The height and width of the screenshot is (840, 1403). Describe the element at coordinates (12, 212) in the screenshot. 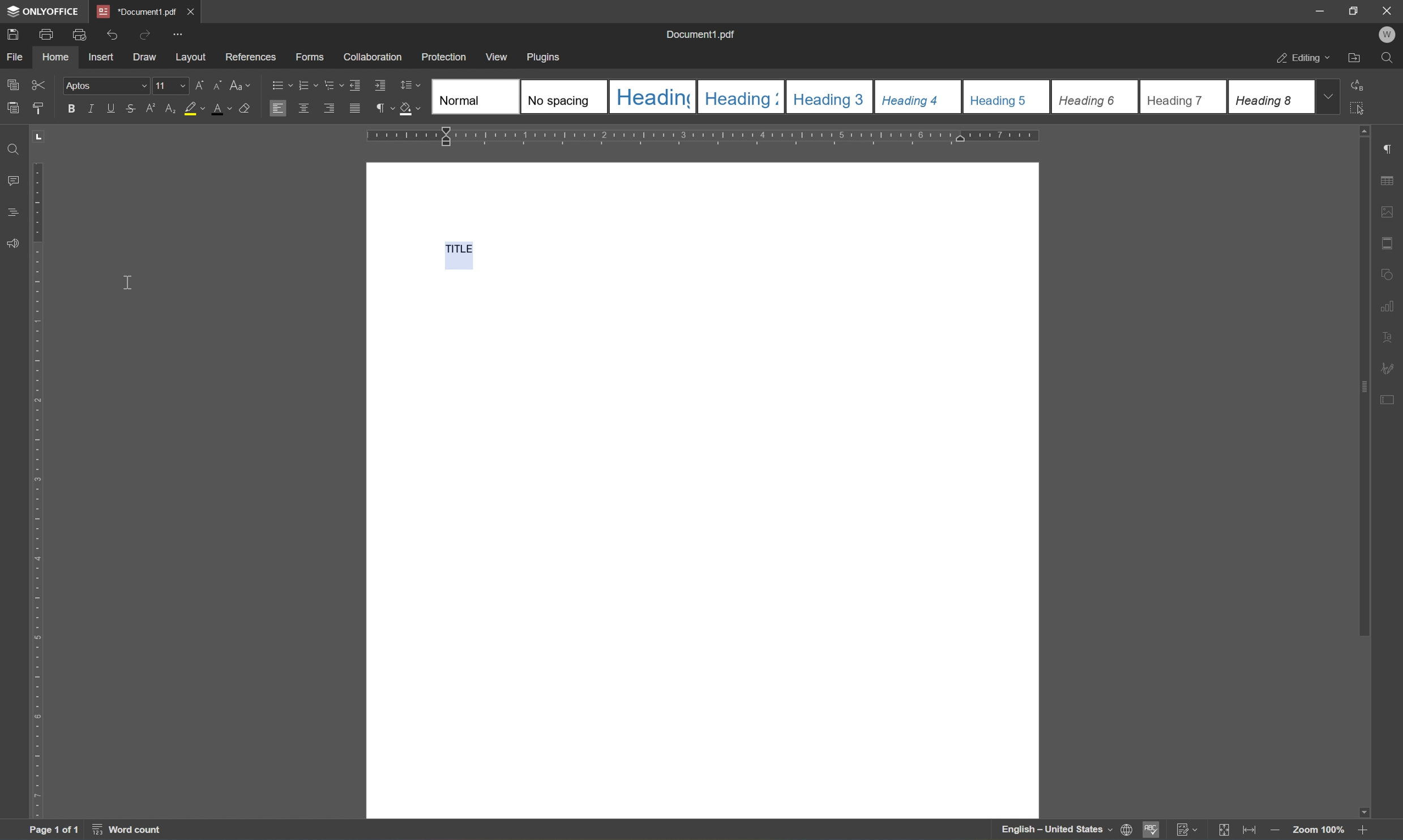

I see `comments` at that location.